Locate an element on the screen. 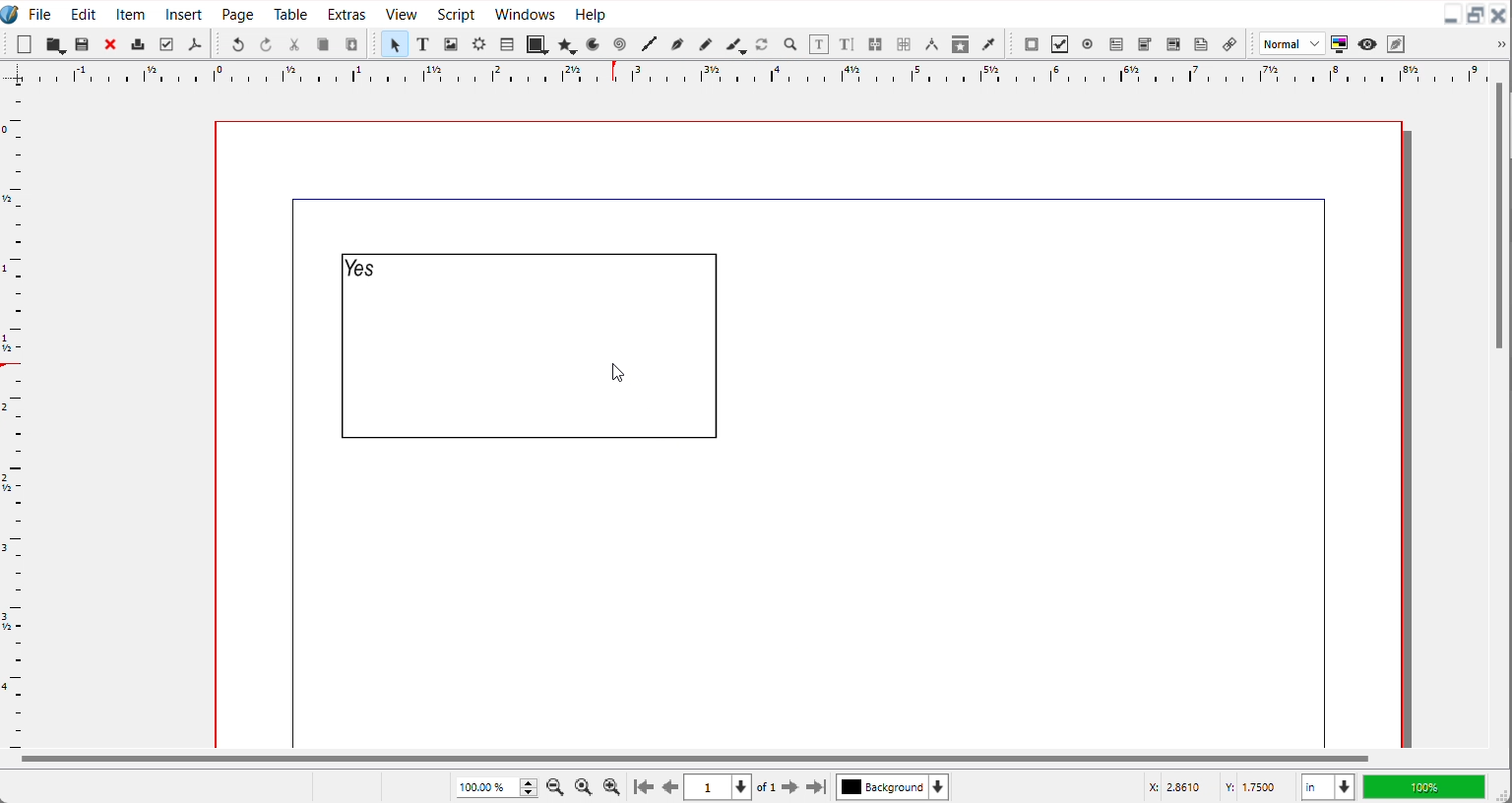  Eye Dropper is located at coordinates (990, 43).